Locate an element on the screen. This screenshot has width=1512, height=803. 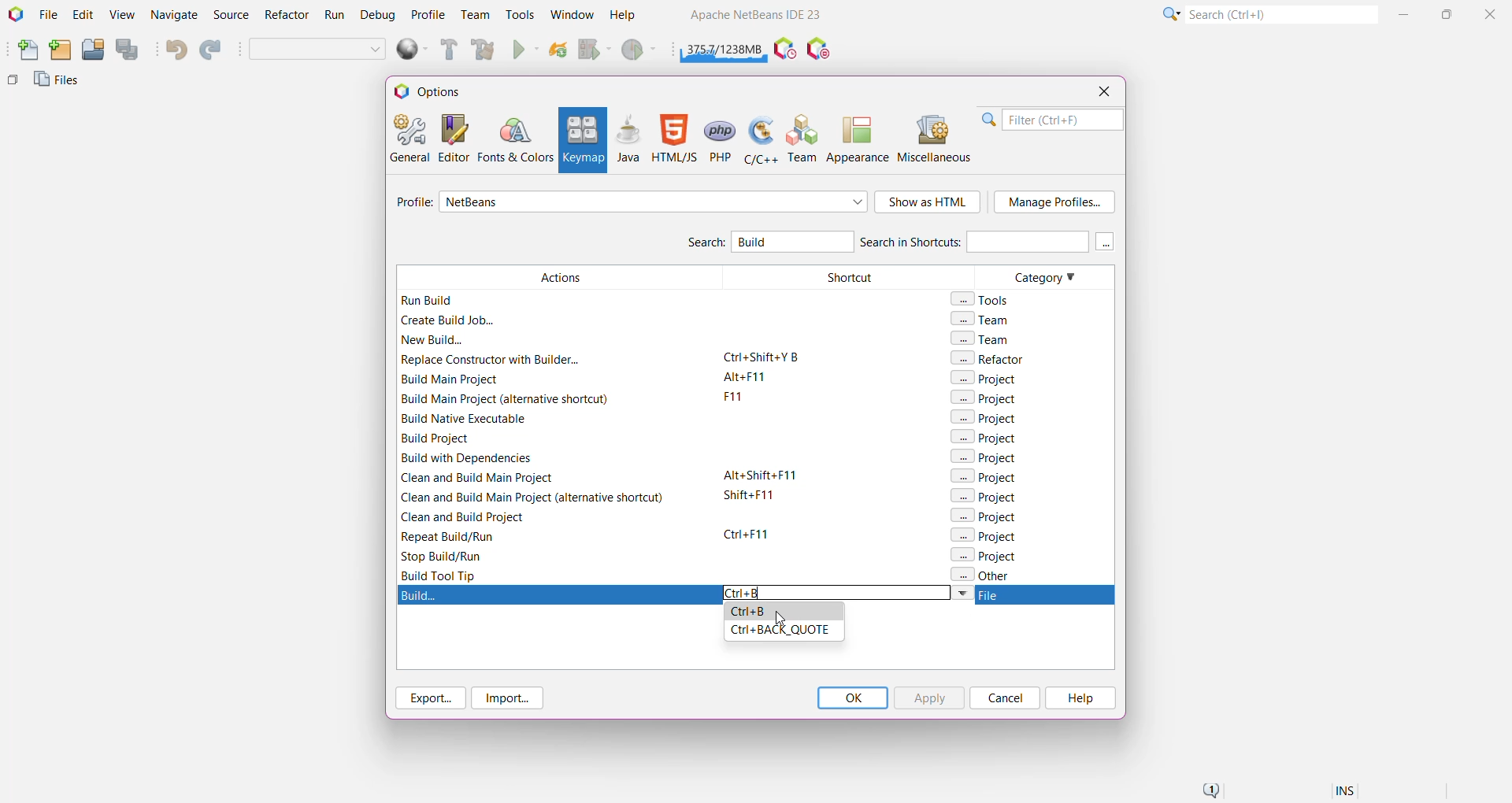
Shortcut is located at coordinates (842, 424).